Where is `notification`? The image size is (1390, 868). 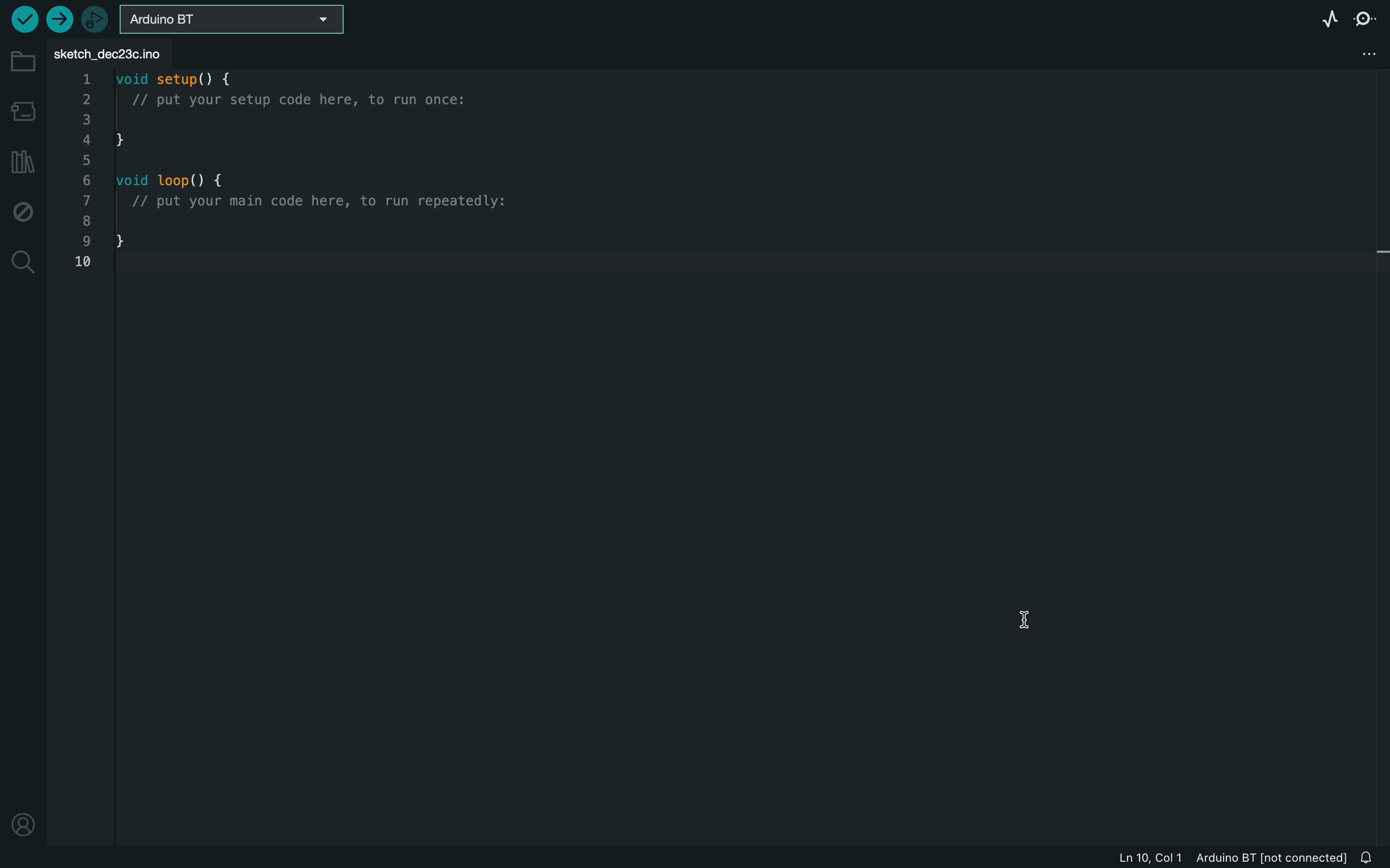
notification is located at coordinates (1369, 858).